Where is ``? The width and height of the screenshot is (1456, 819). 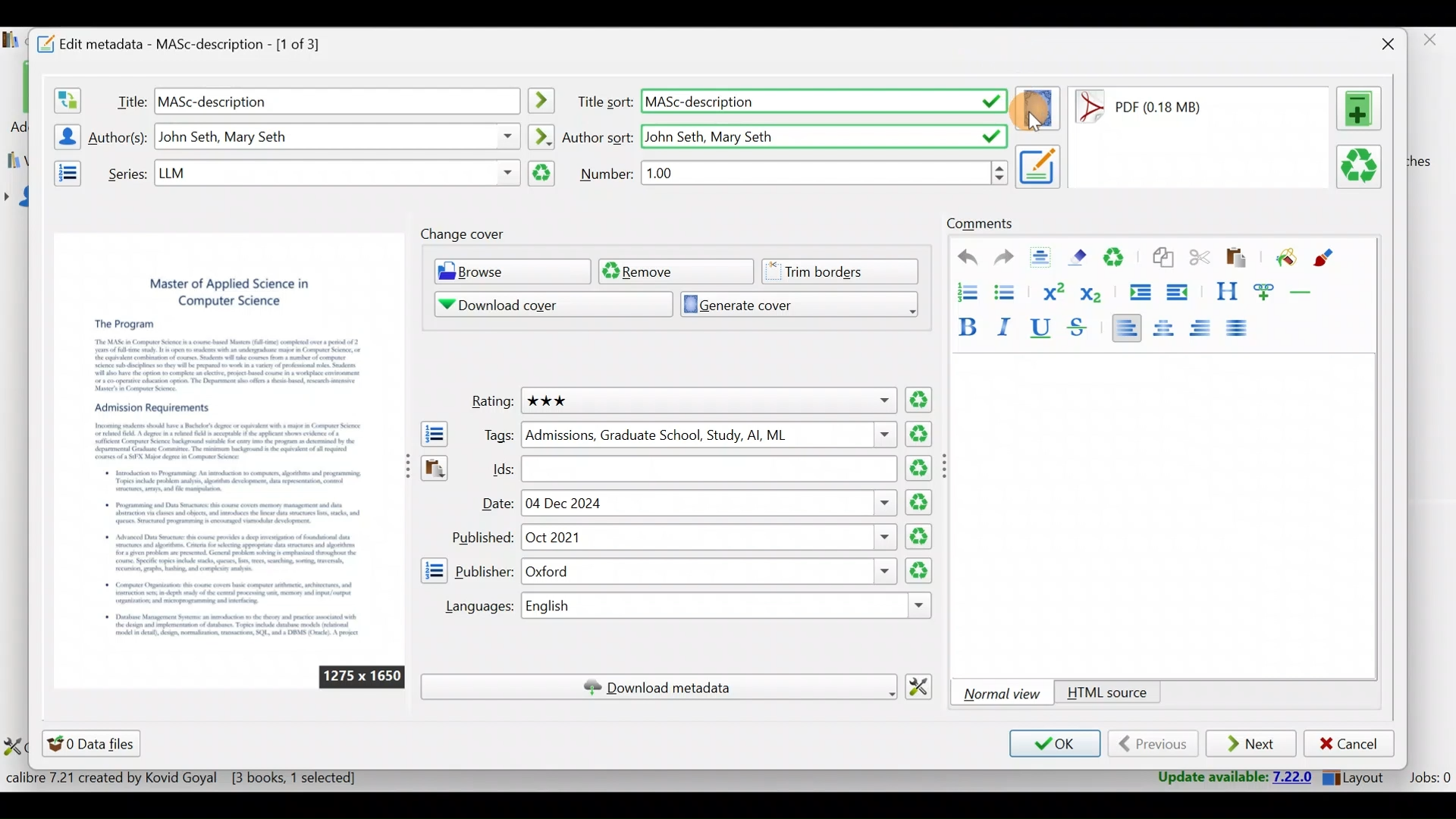  is located at coordinates (824, 102).